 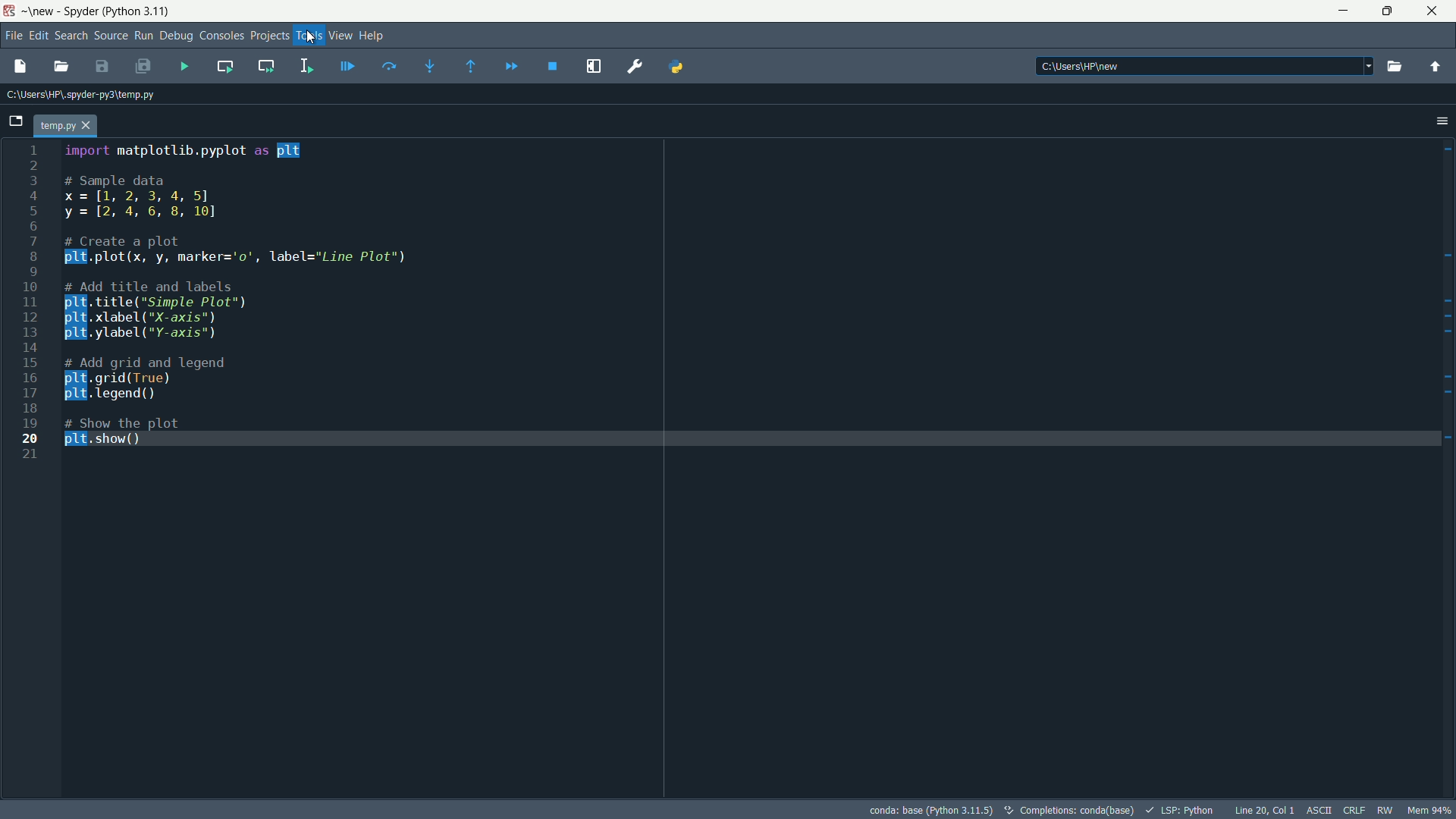 What do you see at coordinates (635, 65) in the screenshot?
I see `preferences` at bounding box center [635, 65].